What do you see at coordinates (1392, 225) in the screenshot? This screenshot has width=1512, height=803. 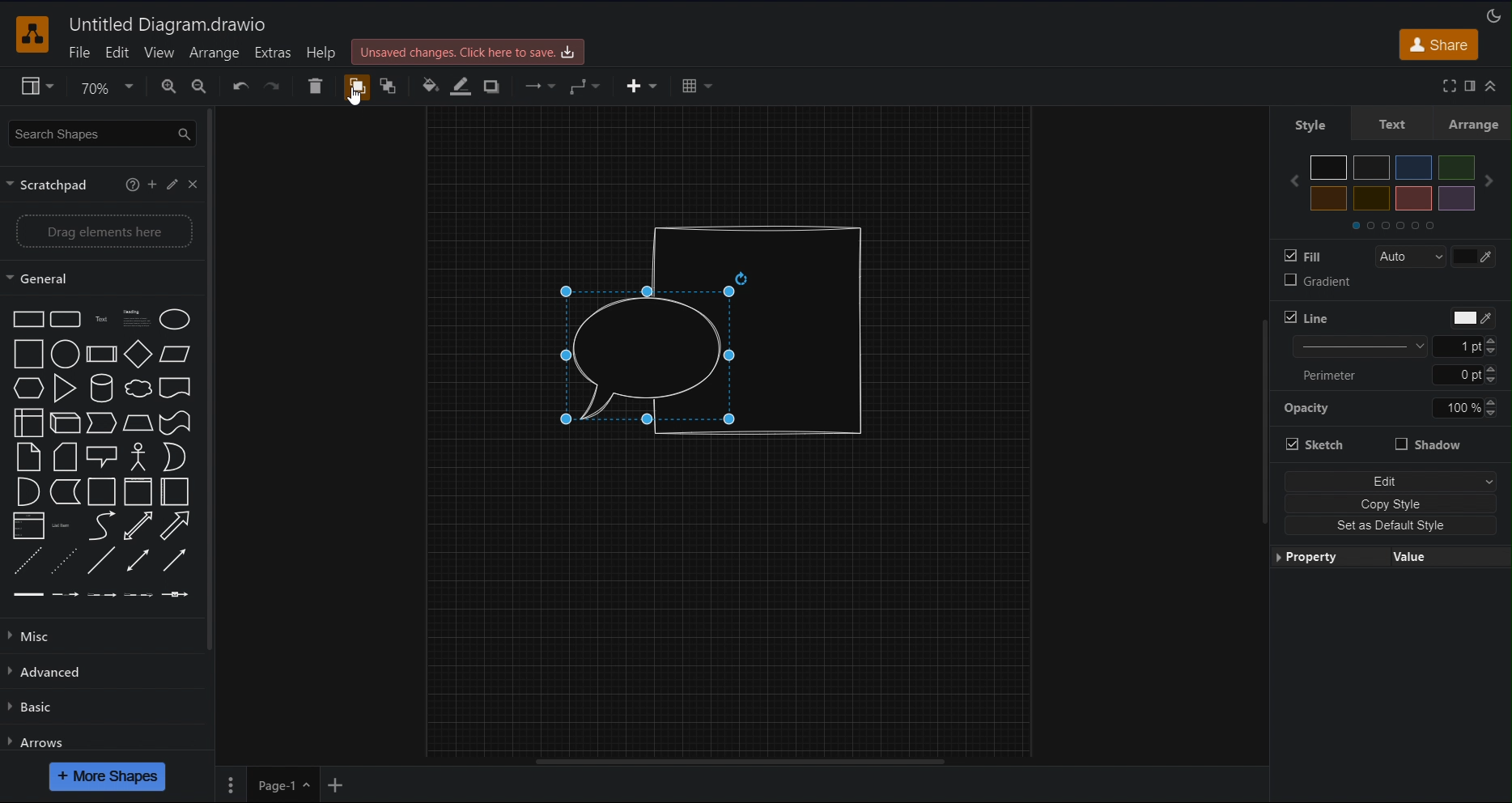 I see `Color sets` at bounding box center [1392, 225].